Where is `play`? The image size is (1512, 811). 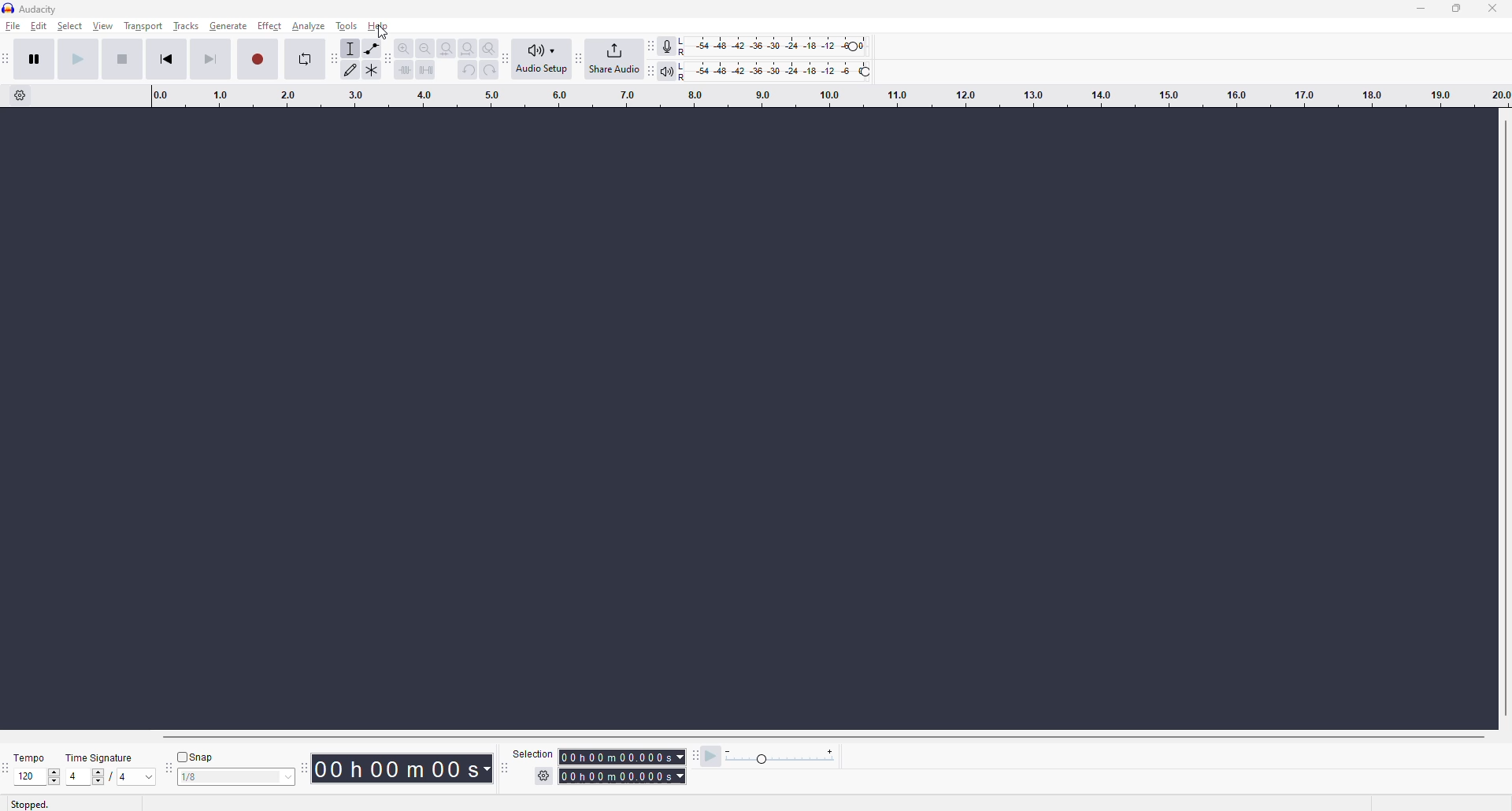
play is located at coordinates (78, 58).